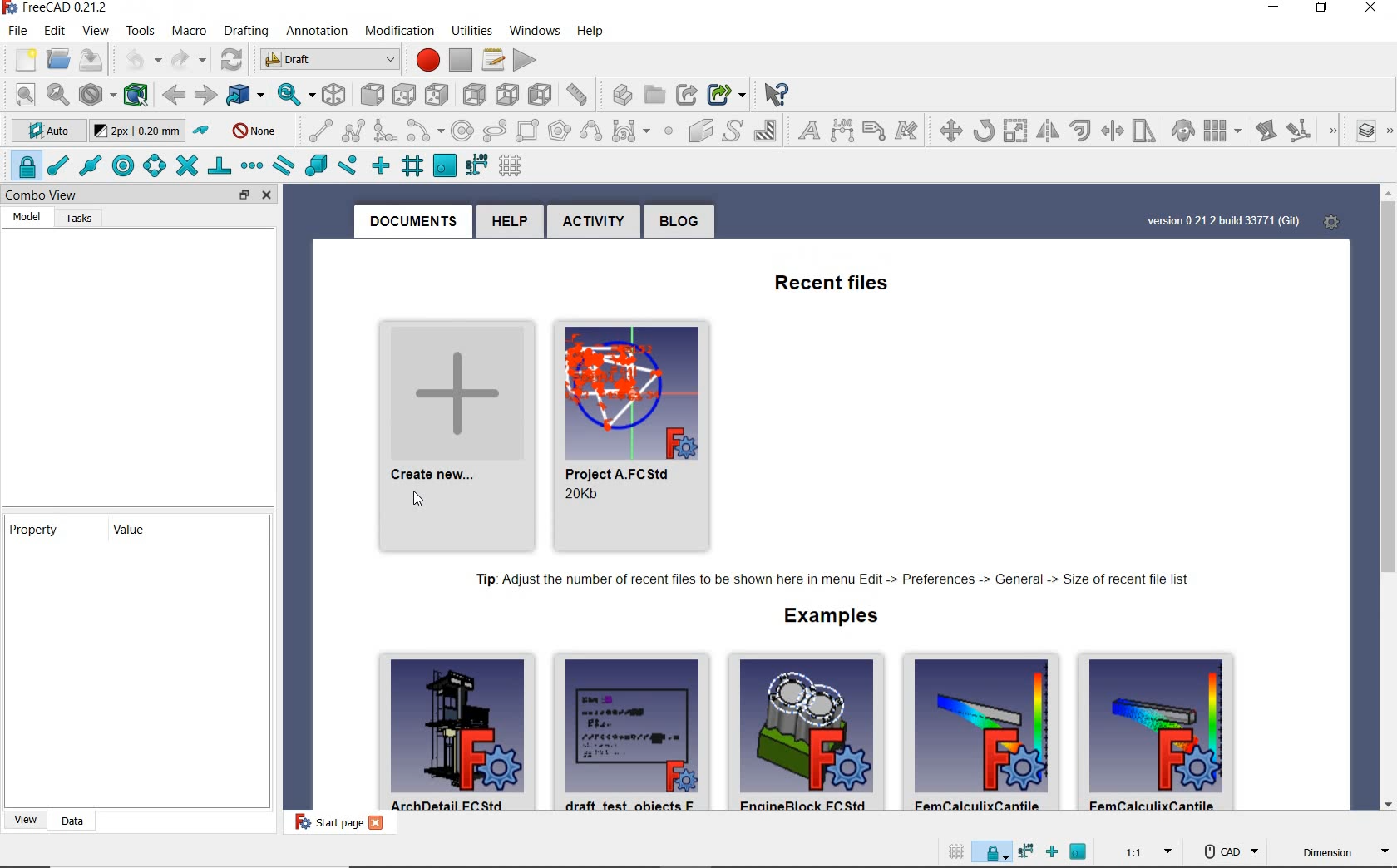 The width and height of the screenshot is (1397, 868). What do you see at coordinates (22, 823) in the screenshot?
I see `view` at bounding box center [22, 823].